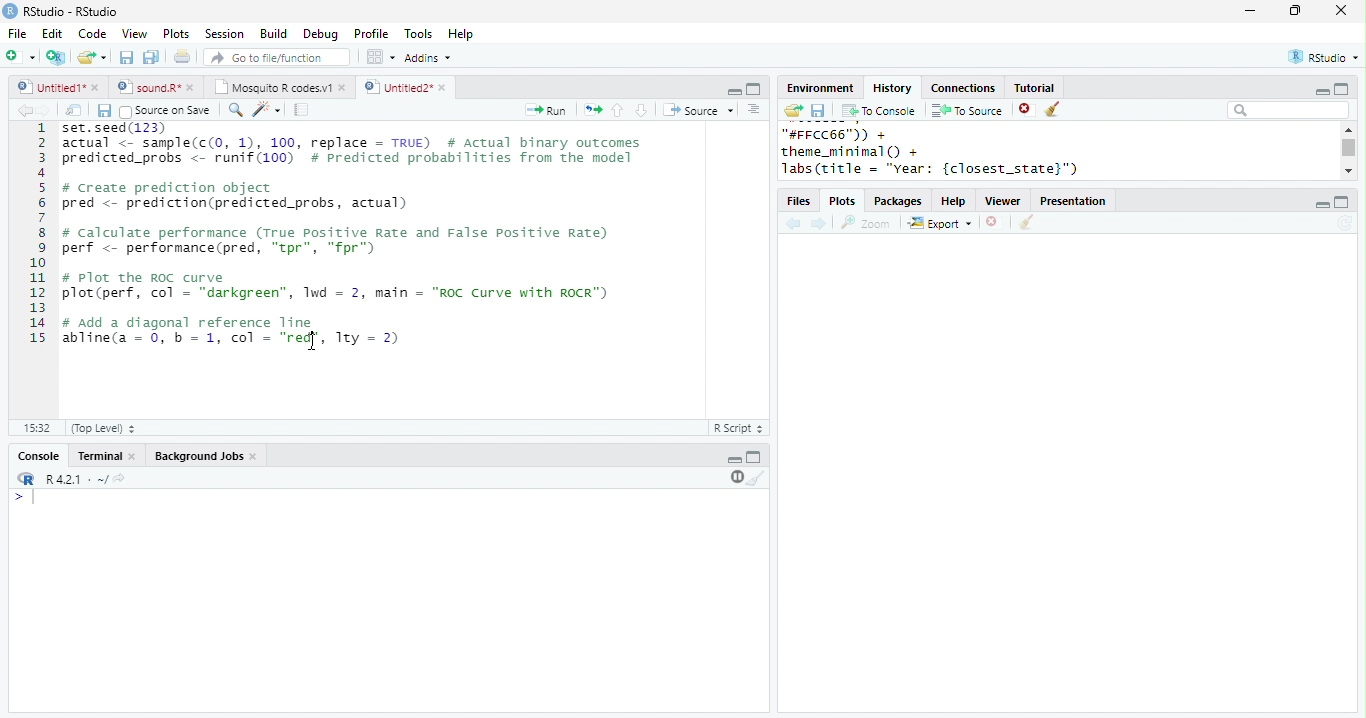 The width and height of the screenshot is (1366, 718). Describe the element at coordinates (256, 457) in the screenshot. I see `close` at that location.